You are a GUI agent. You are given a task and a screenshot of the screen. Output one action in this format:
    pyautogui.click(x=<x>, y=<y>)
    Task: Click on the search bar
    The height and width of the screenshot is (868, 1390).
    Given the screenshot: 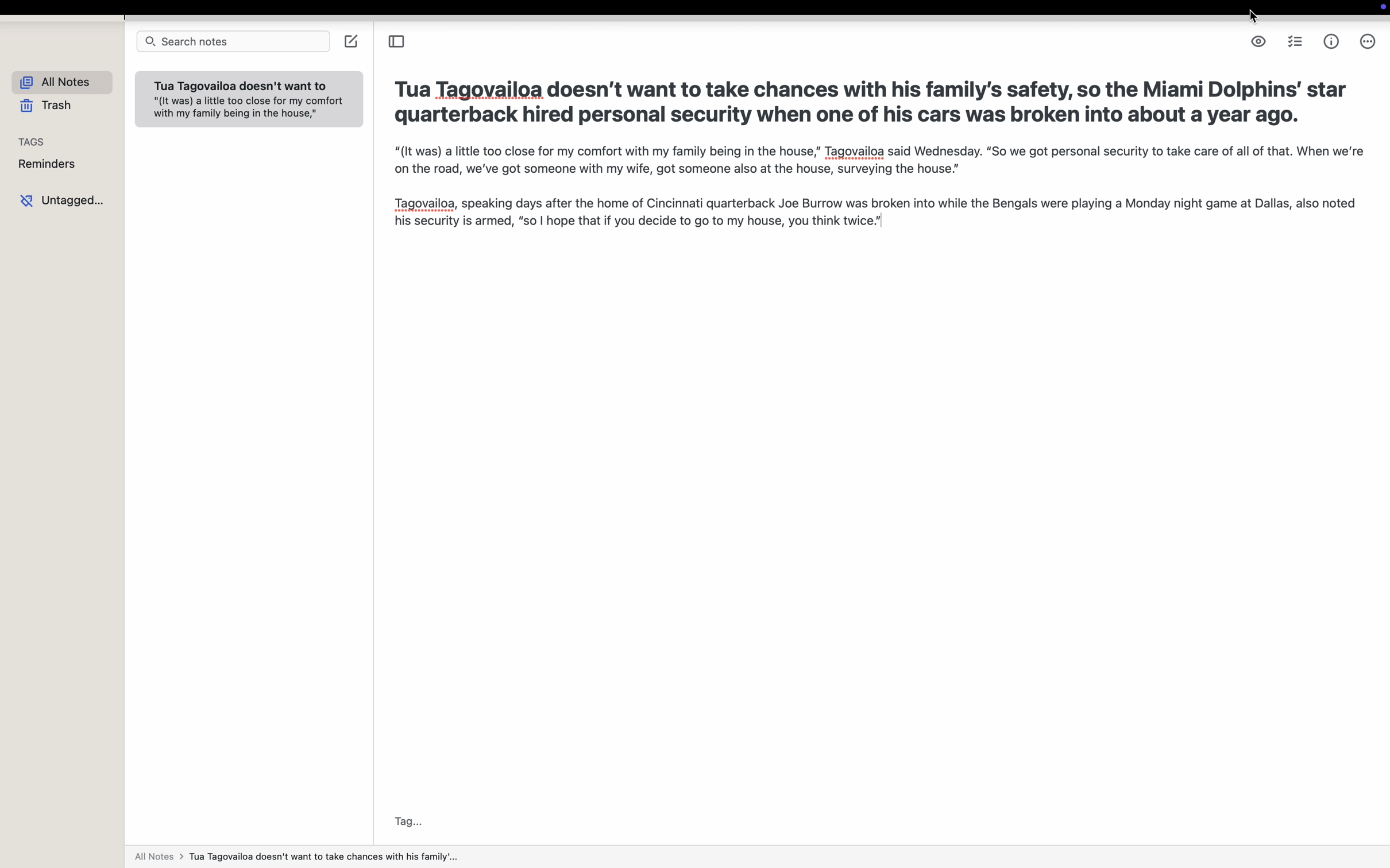 What is the action you would take?
    pyautogui.click(x=231, y=41)
    